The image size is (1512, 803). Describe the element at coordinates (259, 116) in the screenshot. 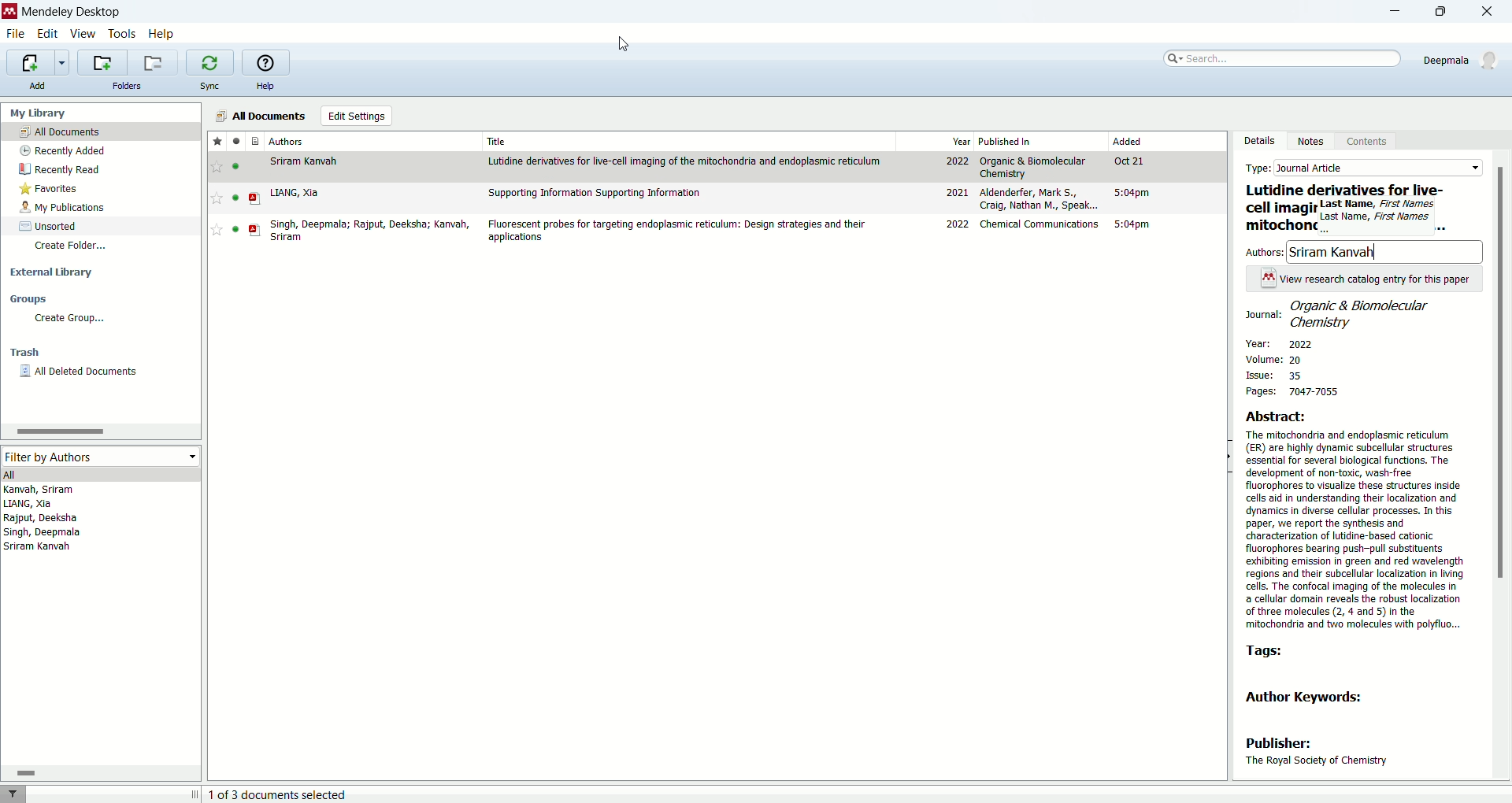

I see `all documnets` at that location.